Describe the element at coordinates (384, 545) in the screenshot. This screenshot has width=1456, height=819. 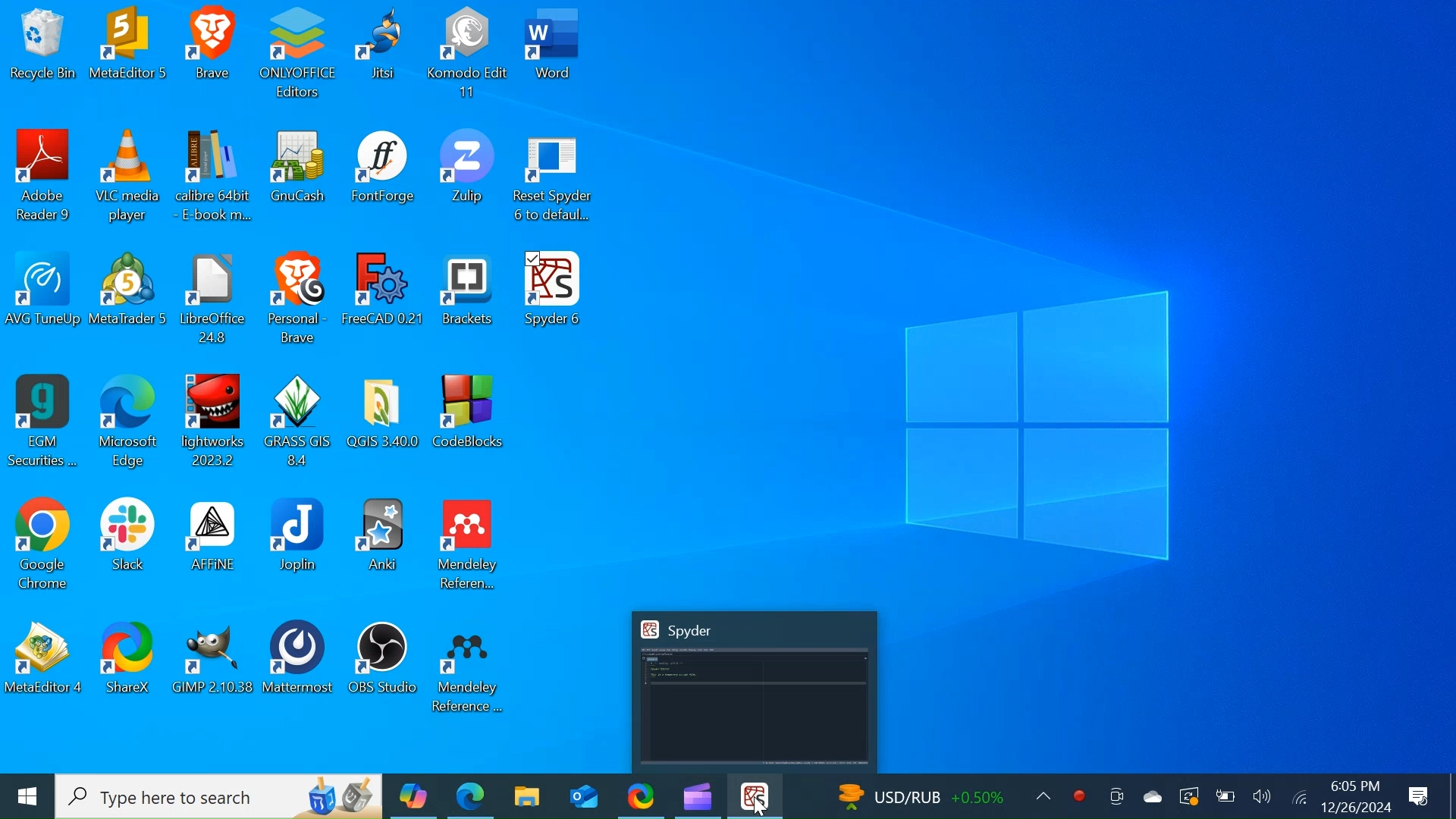
I see `Anki Desktop Icon` at that location.